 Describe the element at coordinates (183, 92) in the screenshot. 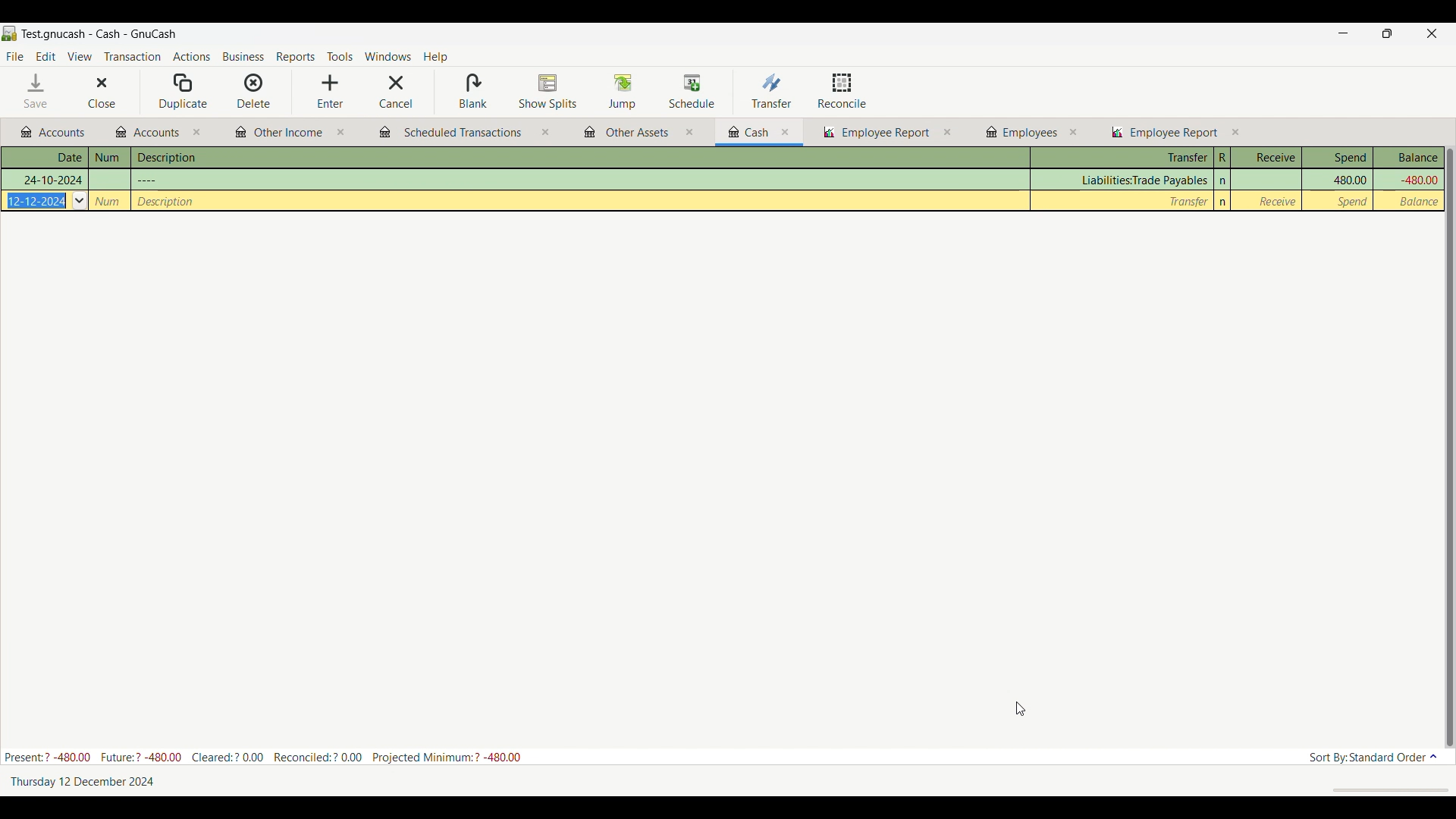

I see `Duplicate` at that location.